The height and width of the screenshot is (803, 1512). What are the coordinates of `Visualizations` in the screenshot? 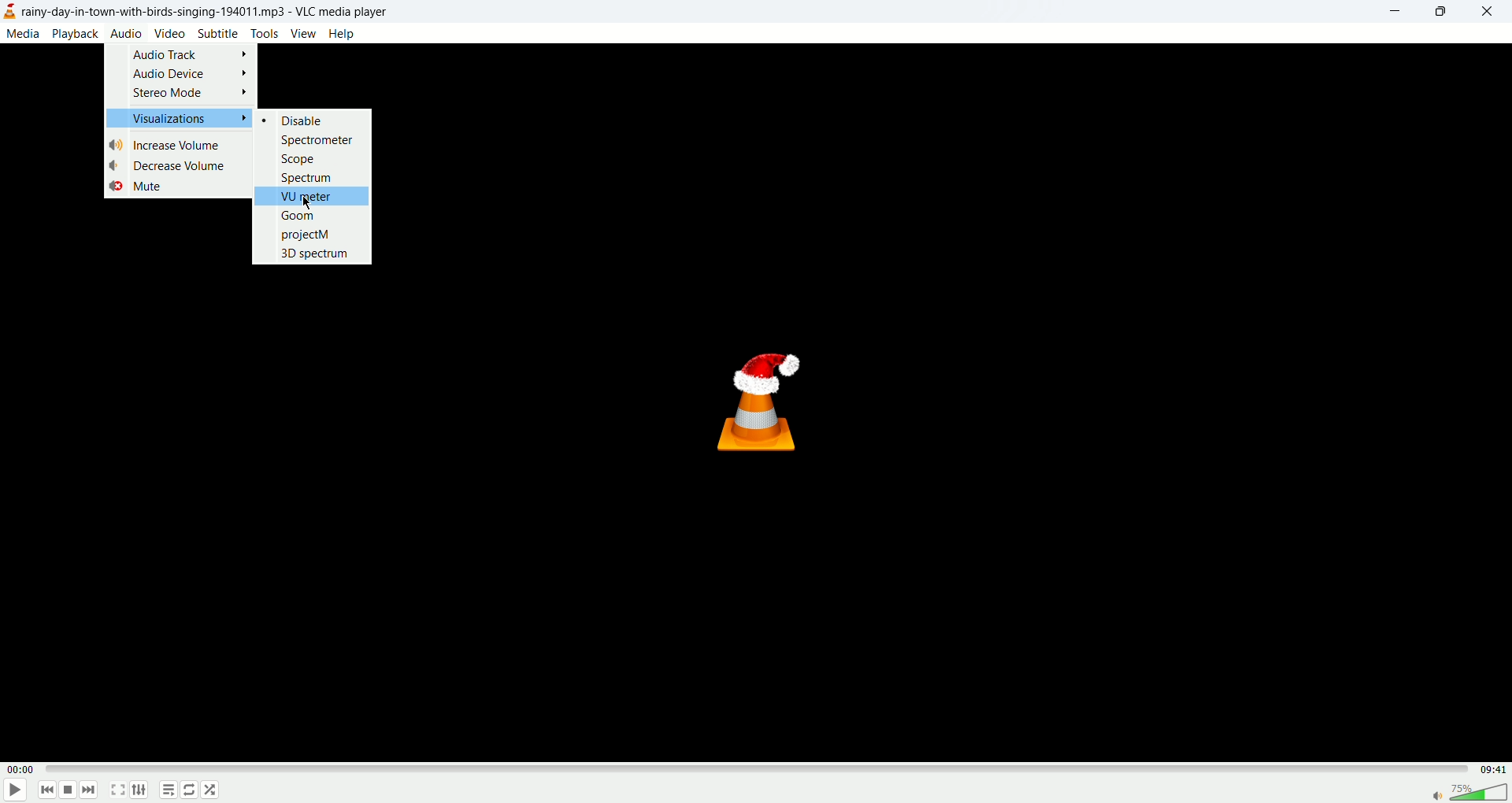 It's located at (185, 120).